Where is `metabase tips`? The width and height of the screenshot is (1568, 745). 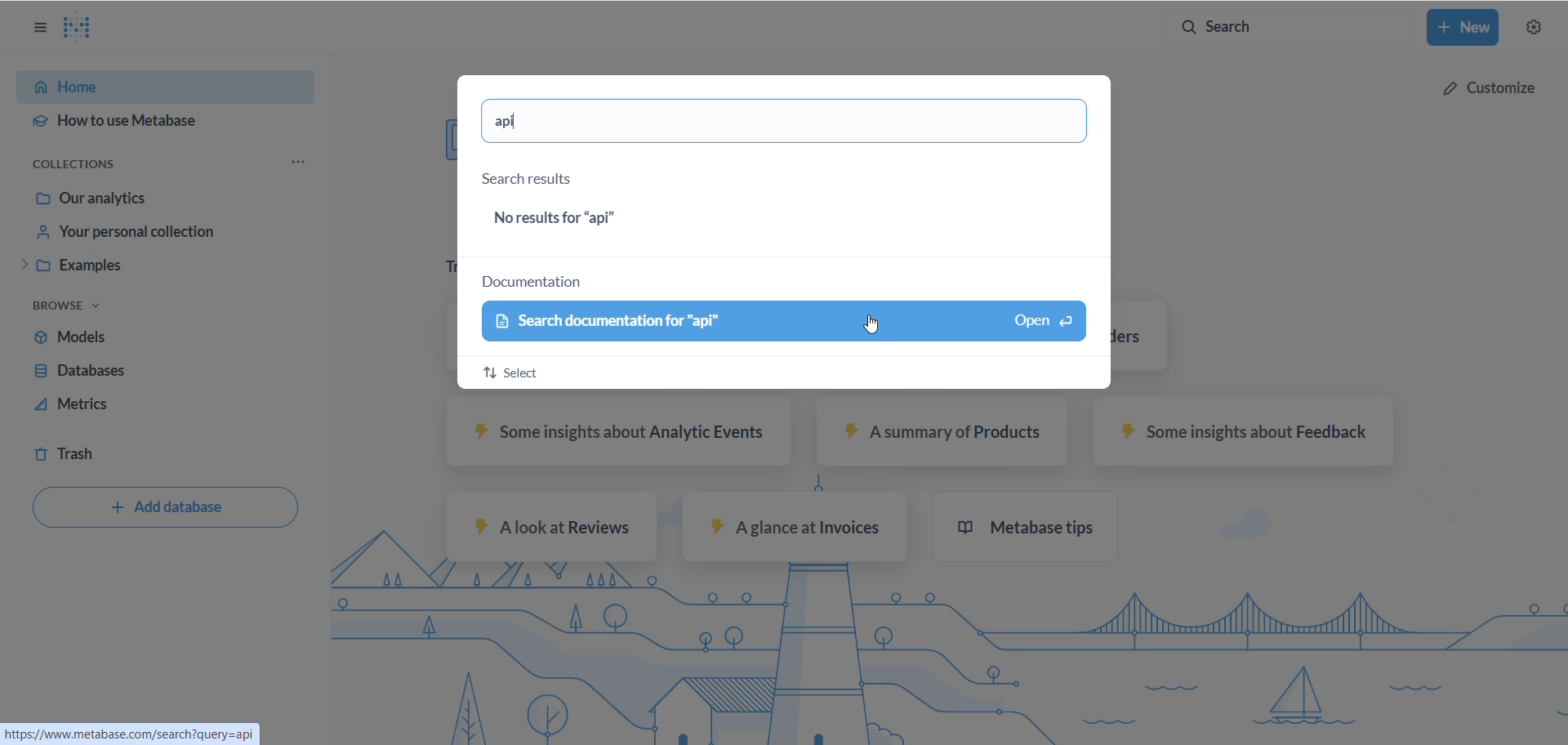
metabase tips is located at coordinates (1027, 529).